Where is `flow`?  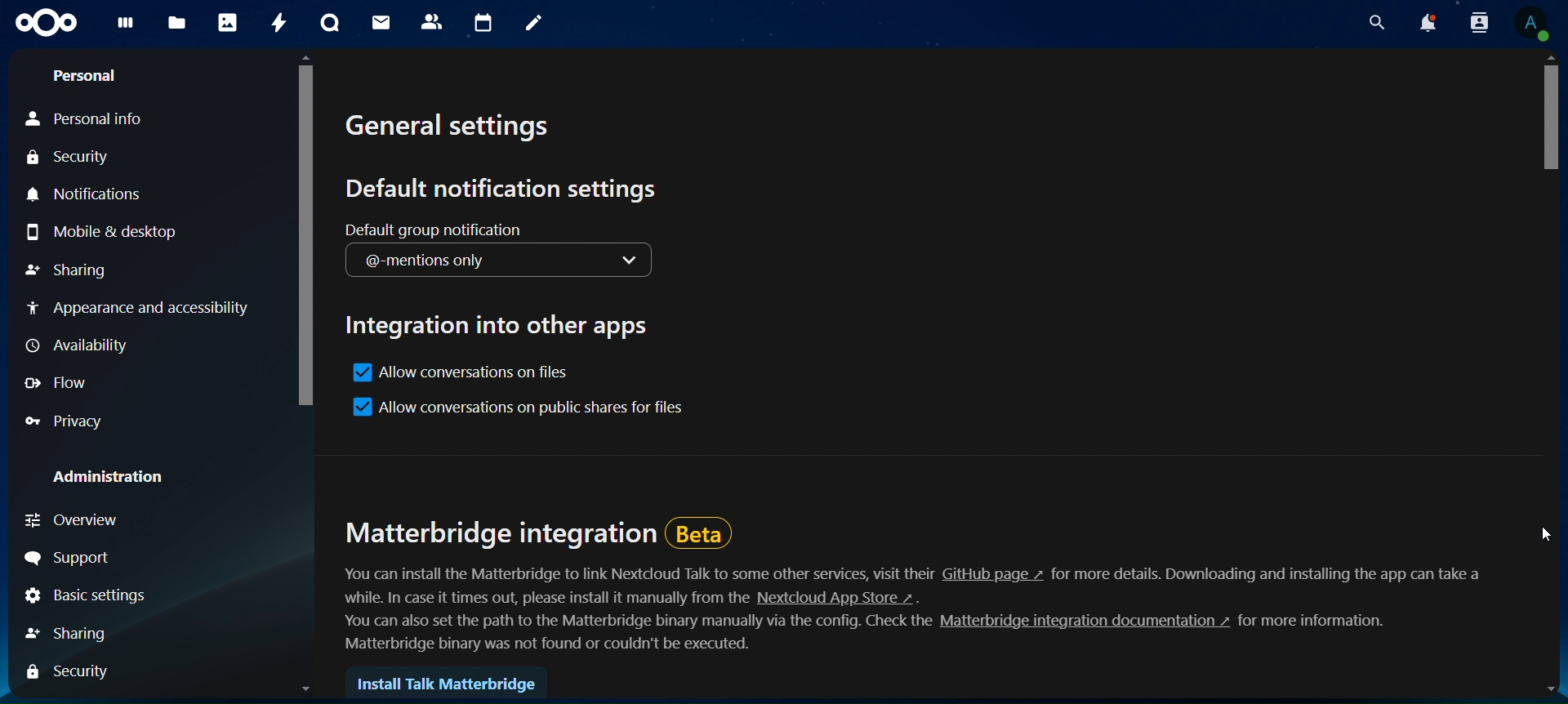
flow is located at coordinates (67, 383).